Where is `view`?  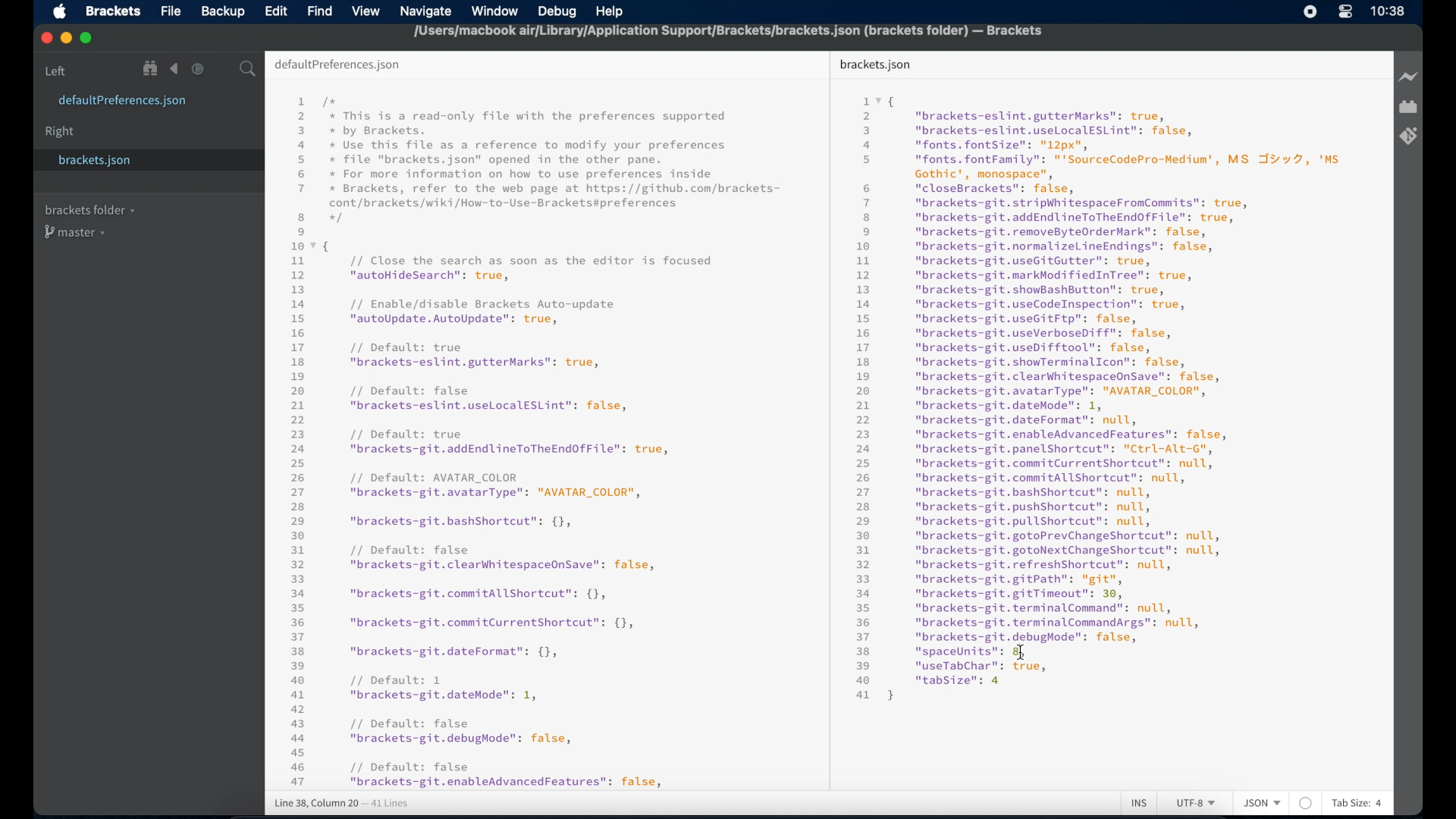 view is located at coordinates (366, 11).